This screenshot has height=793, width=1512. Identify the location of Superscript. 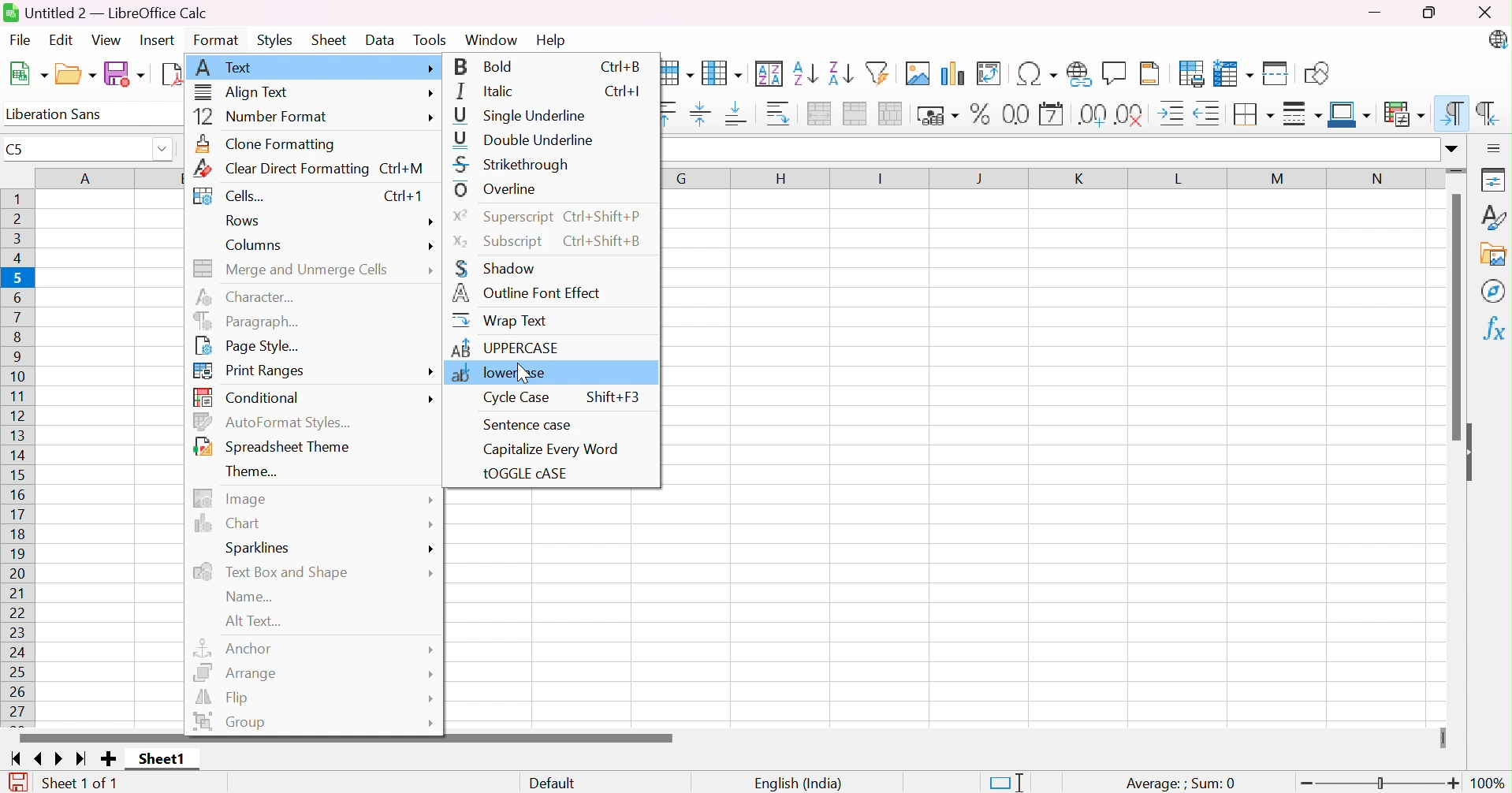
(503, 216).